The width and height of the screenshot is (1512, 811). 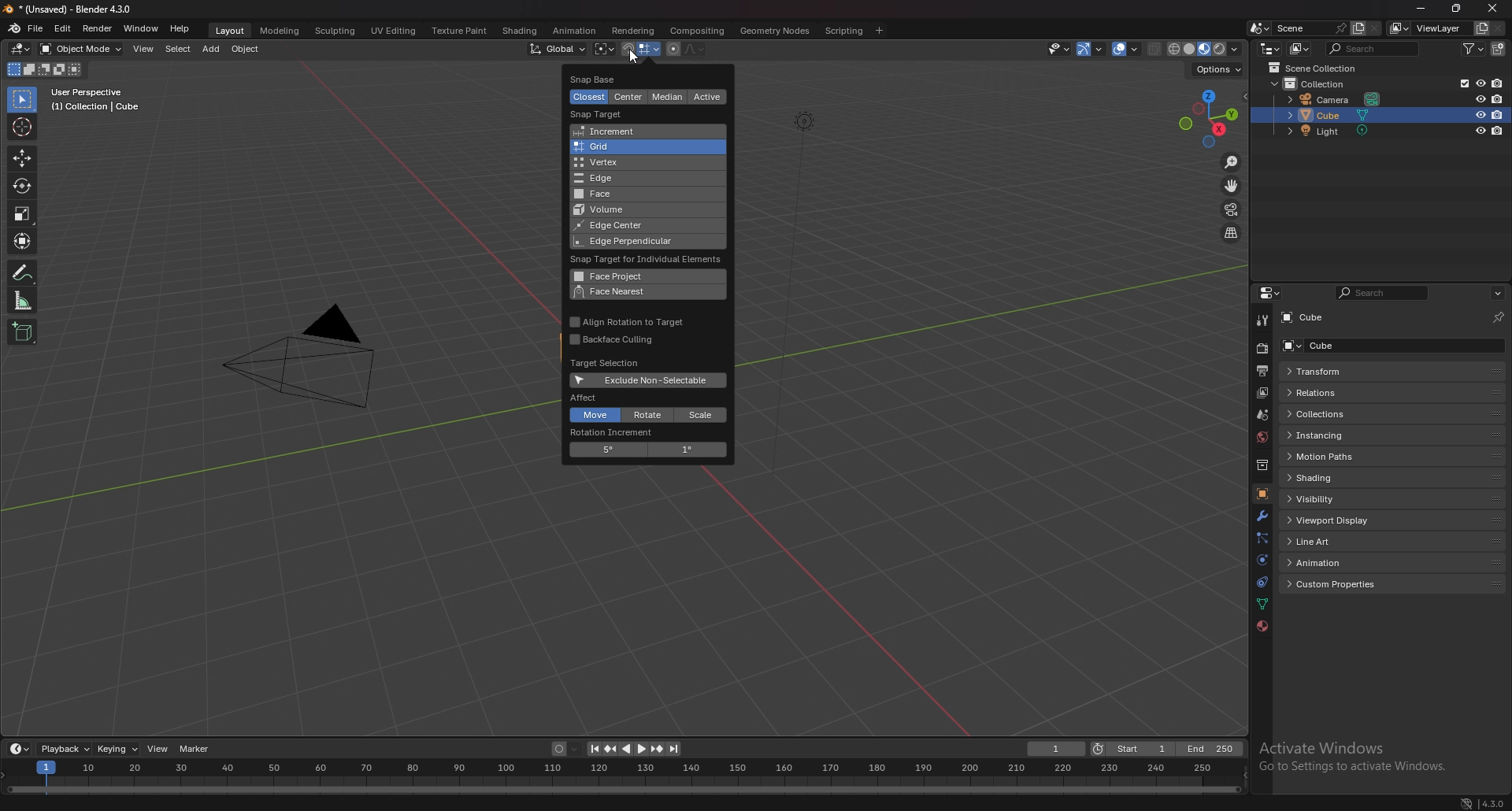 What do you see at coordinates (392, 30) in the screenshot?
I see `uv editing` at bounding box center [392, 30].